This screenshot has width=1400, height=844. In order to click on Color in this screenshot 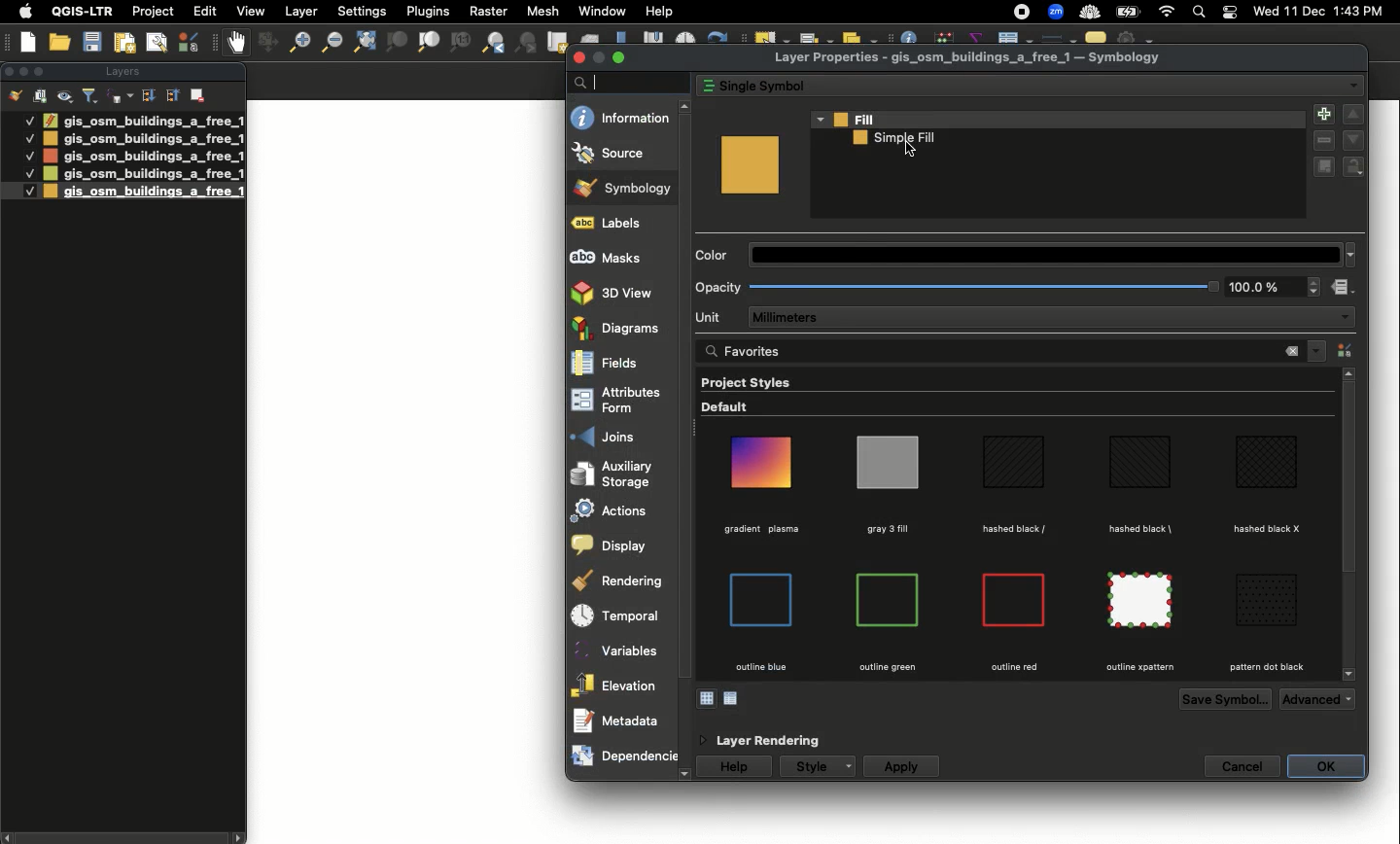, I will do `click(1019, 255)`.